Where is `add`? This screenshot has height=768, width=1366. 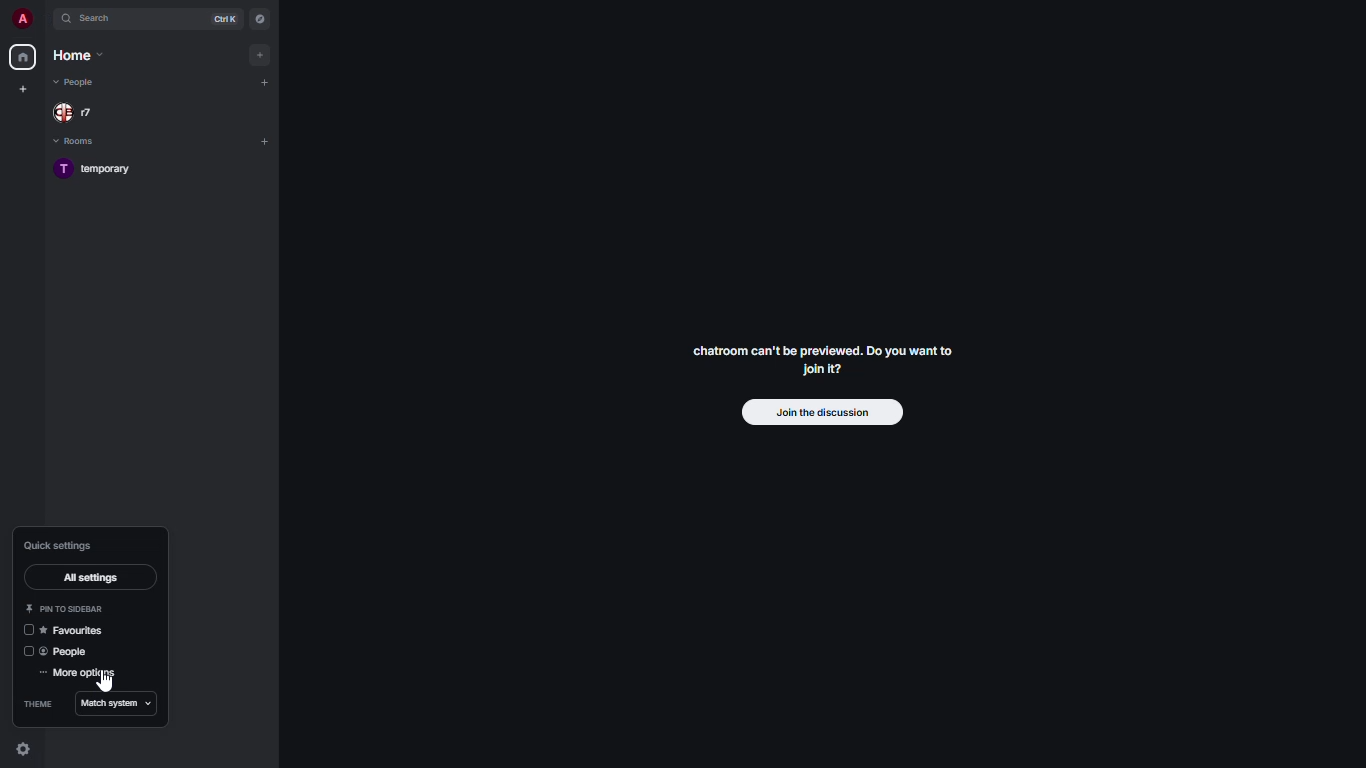
add is located at coordinates (265, 142).